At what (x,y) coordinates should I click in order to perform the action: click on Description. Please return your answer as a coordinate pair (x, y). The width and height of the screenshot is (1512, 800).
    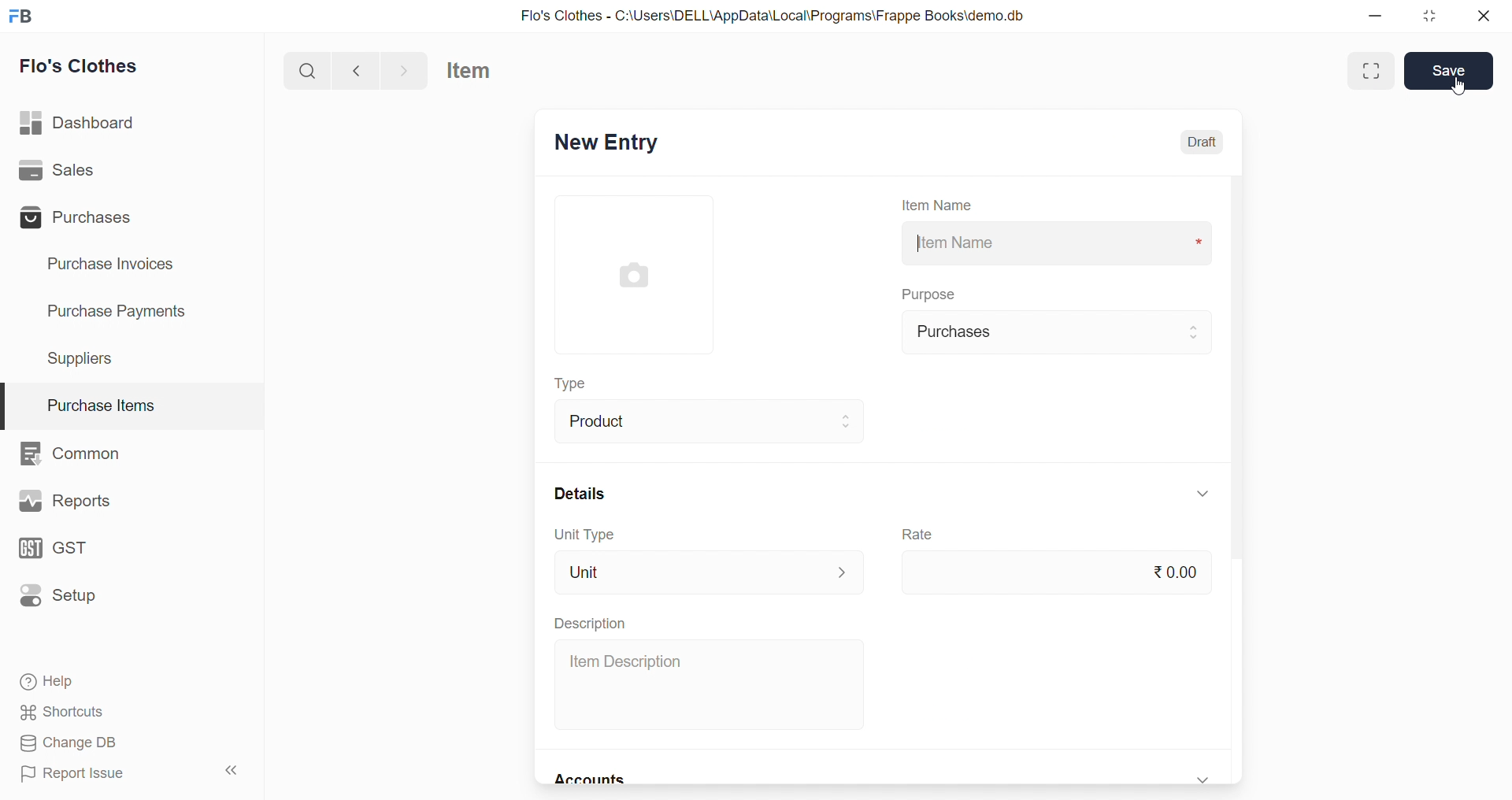
    Looking at the image, I should click on (589, 623).